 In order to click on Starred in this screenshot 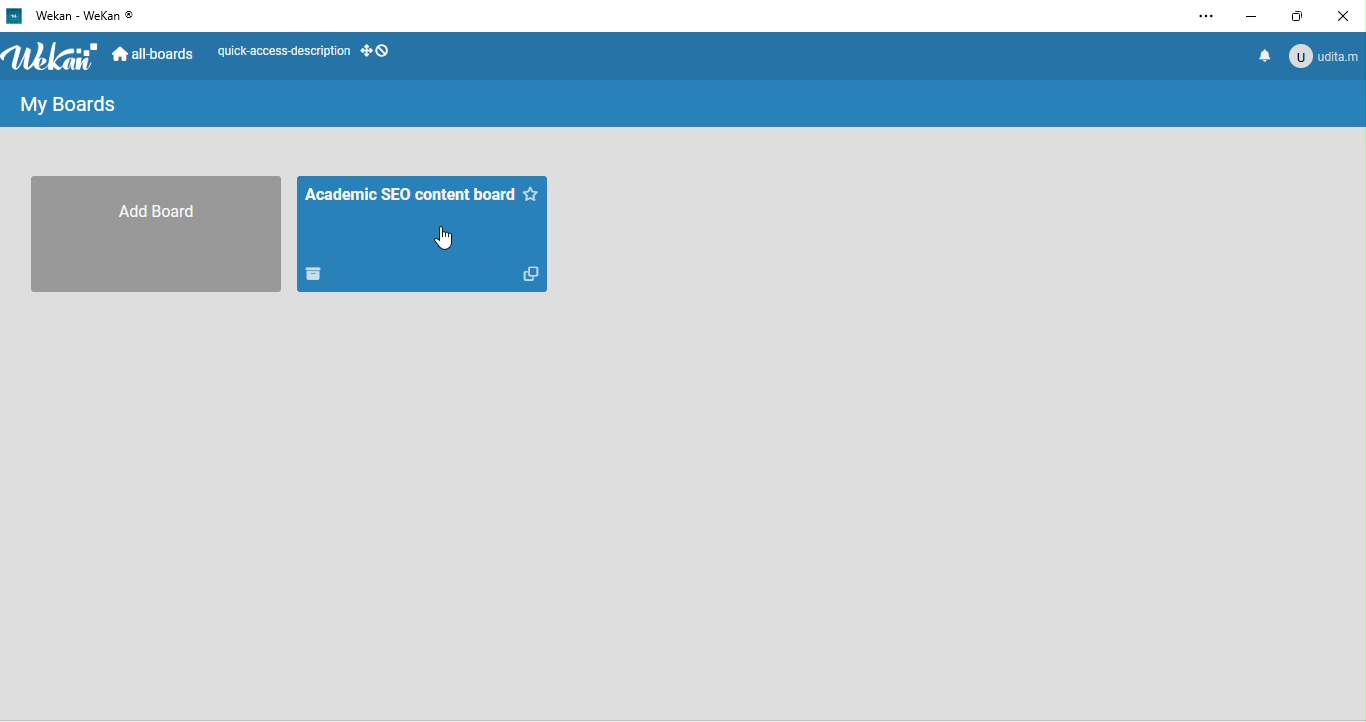, I will do `click(530, 193)`.